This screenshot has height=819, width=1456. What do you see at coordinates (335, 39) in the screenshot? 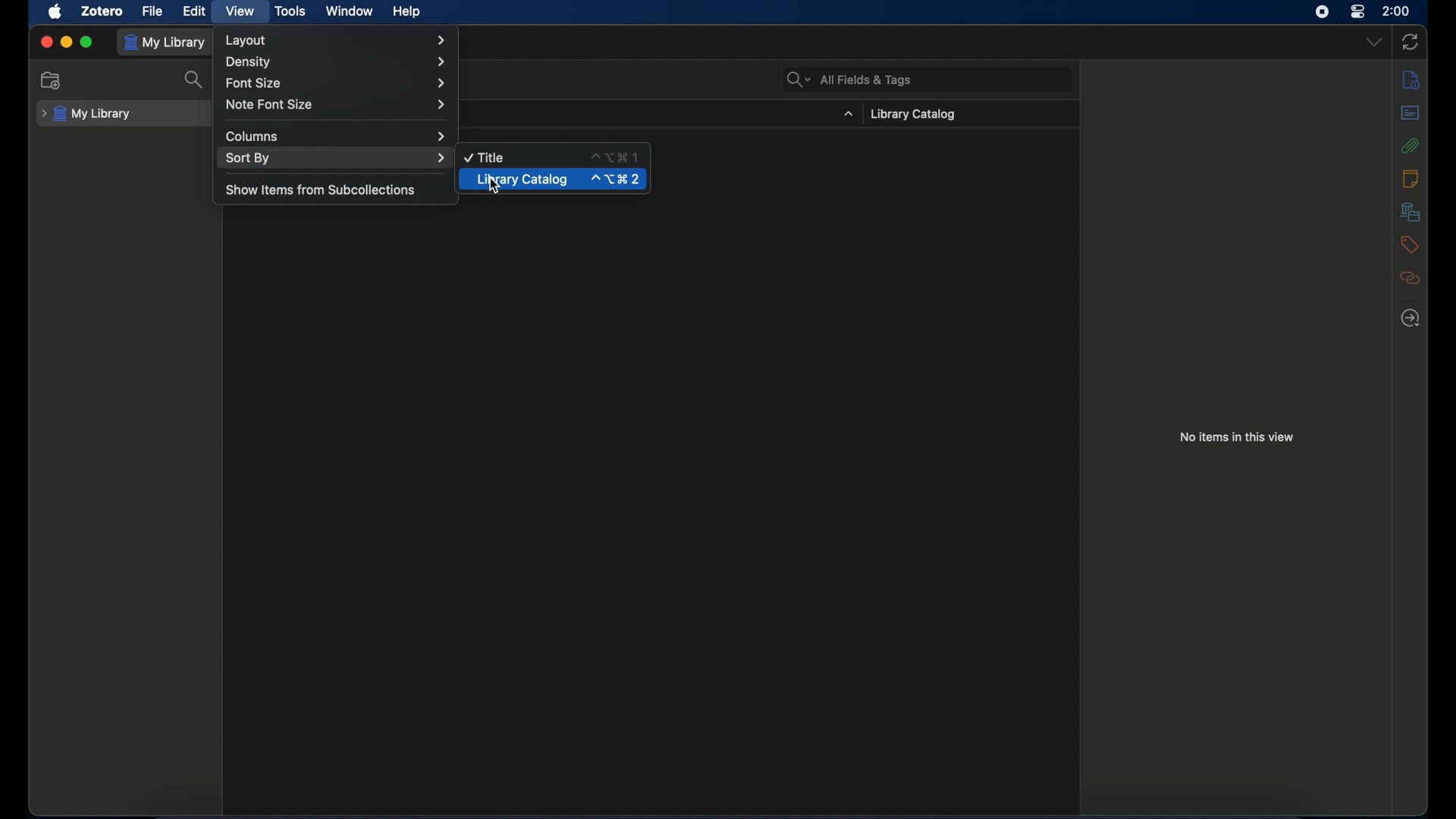
I see `layout` at bounding box center [335, 39].